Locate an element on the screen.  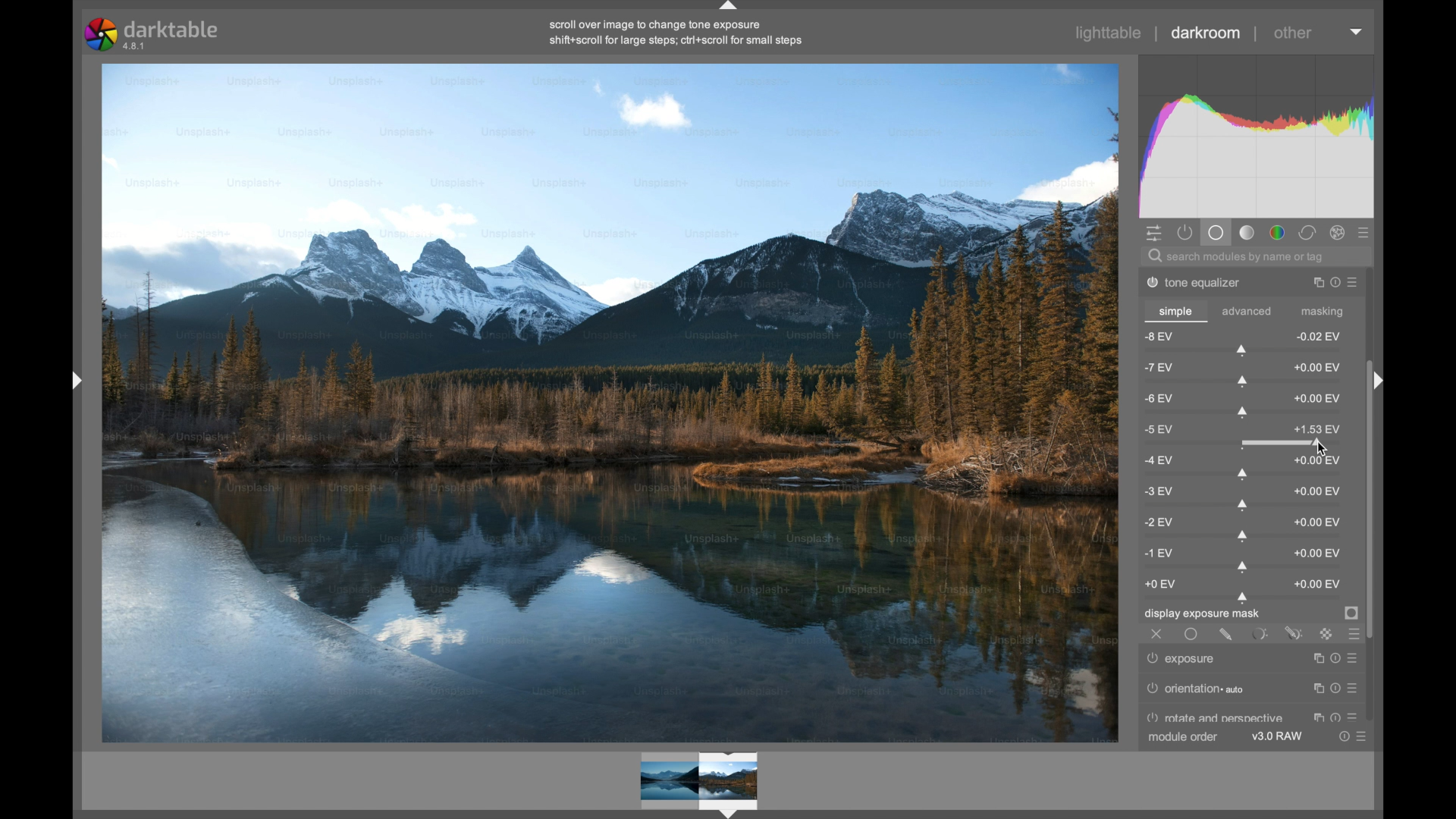
-4 ev is located at coordinates (1159, 460).